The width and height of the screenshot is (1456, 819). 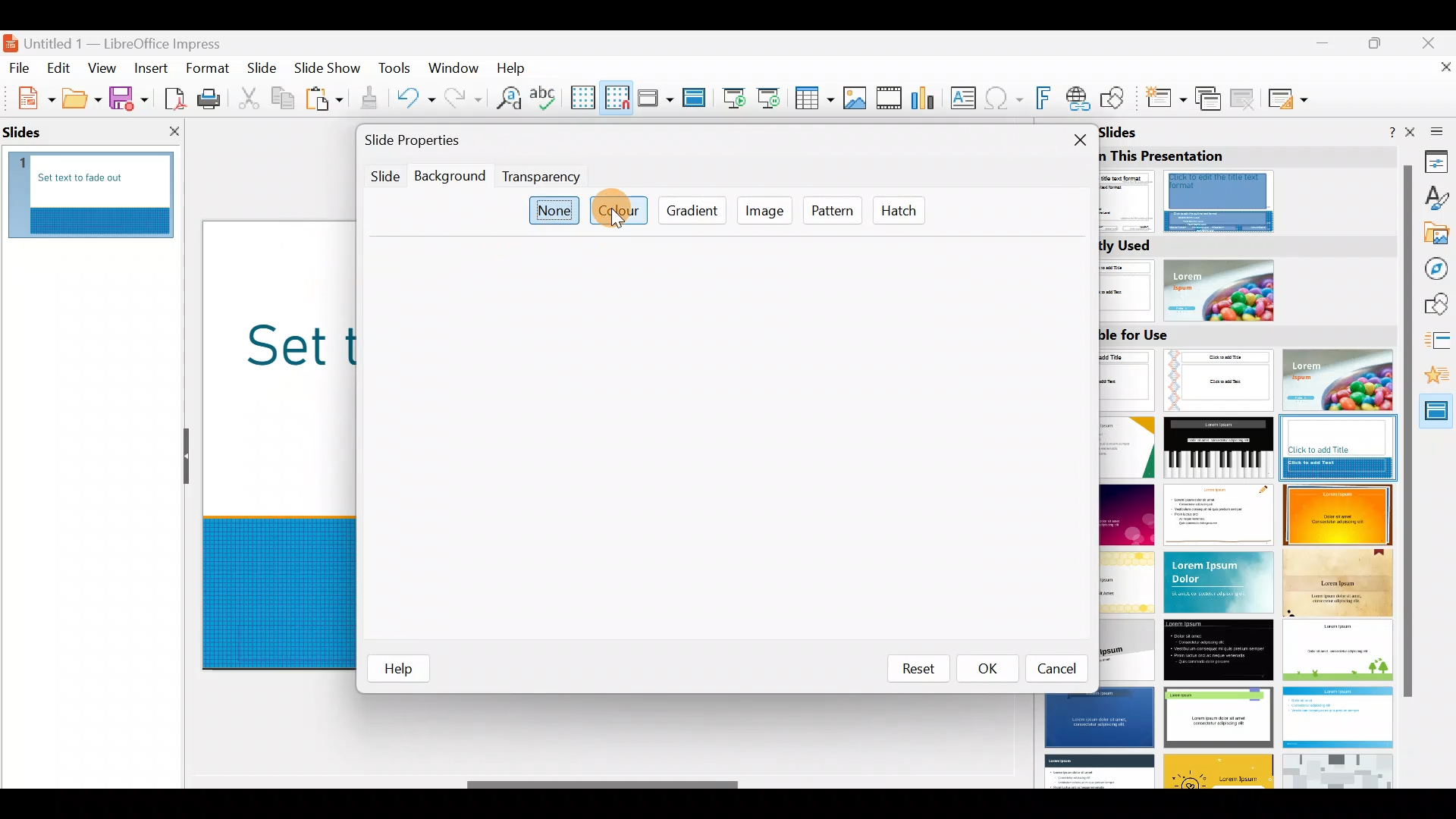 What do you see at coordinates (1437, 74) in the screenshot?
I see `Close document` at bounding box center [1437, 74].